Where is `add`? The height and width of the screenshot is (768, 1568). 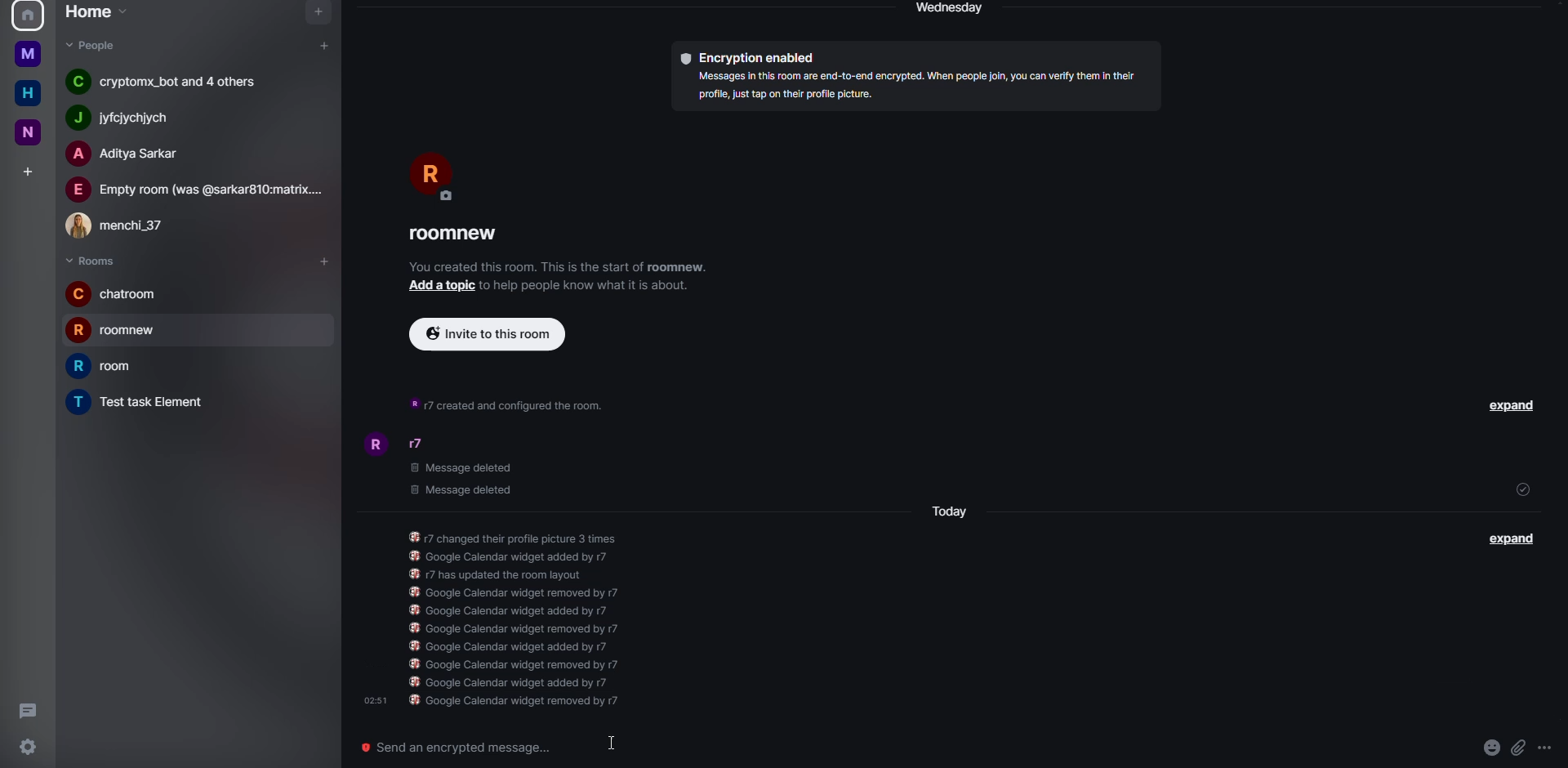 add is located at coordinates (443, 286).